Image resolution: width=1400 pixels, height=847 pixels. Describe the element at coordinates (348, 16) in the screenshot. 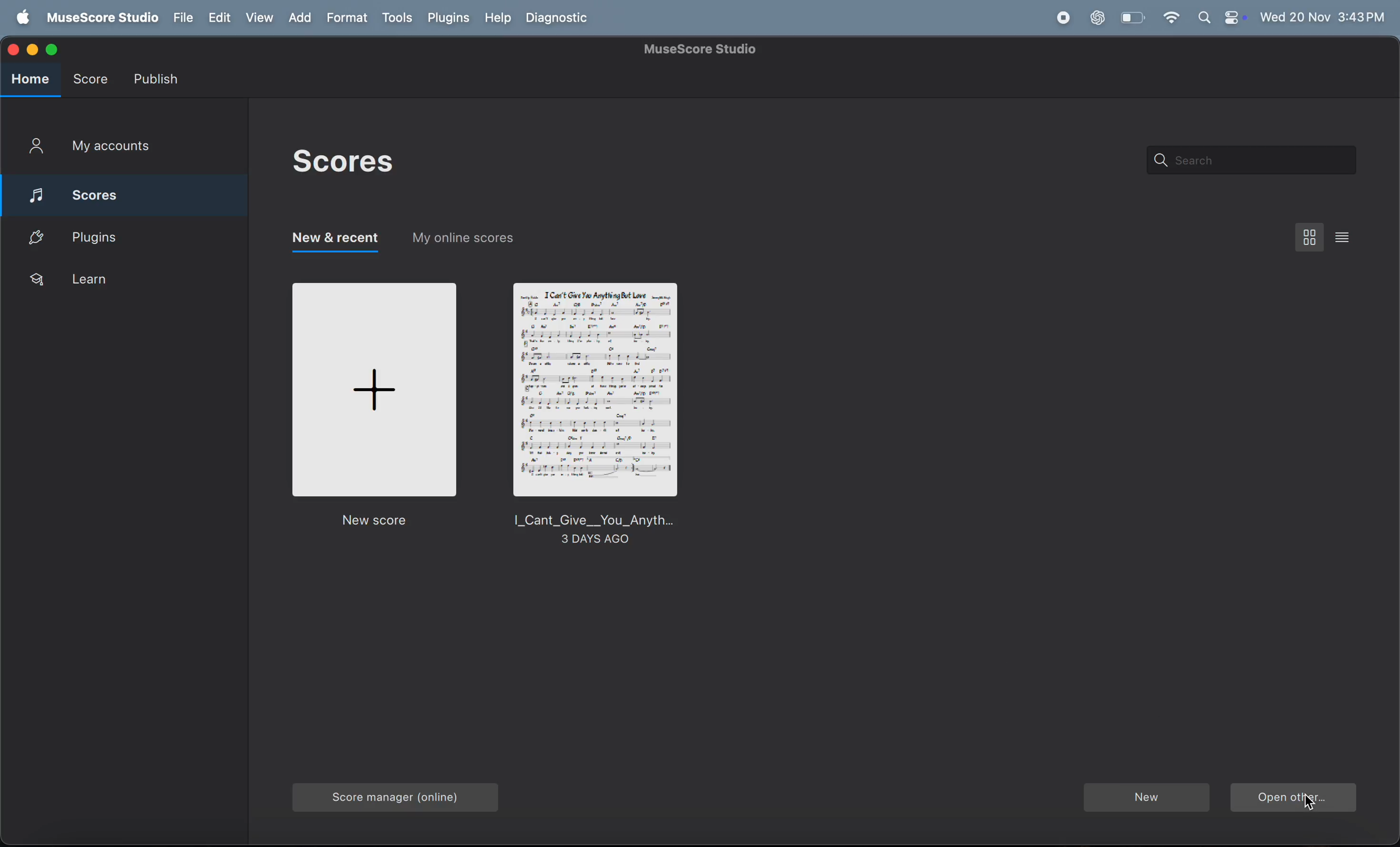

I see `format` at that location.